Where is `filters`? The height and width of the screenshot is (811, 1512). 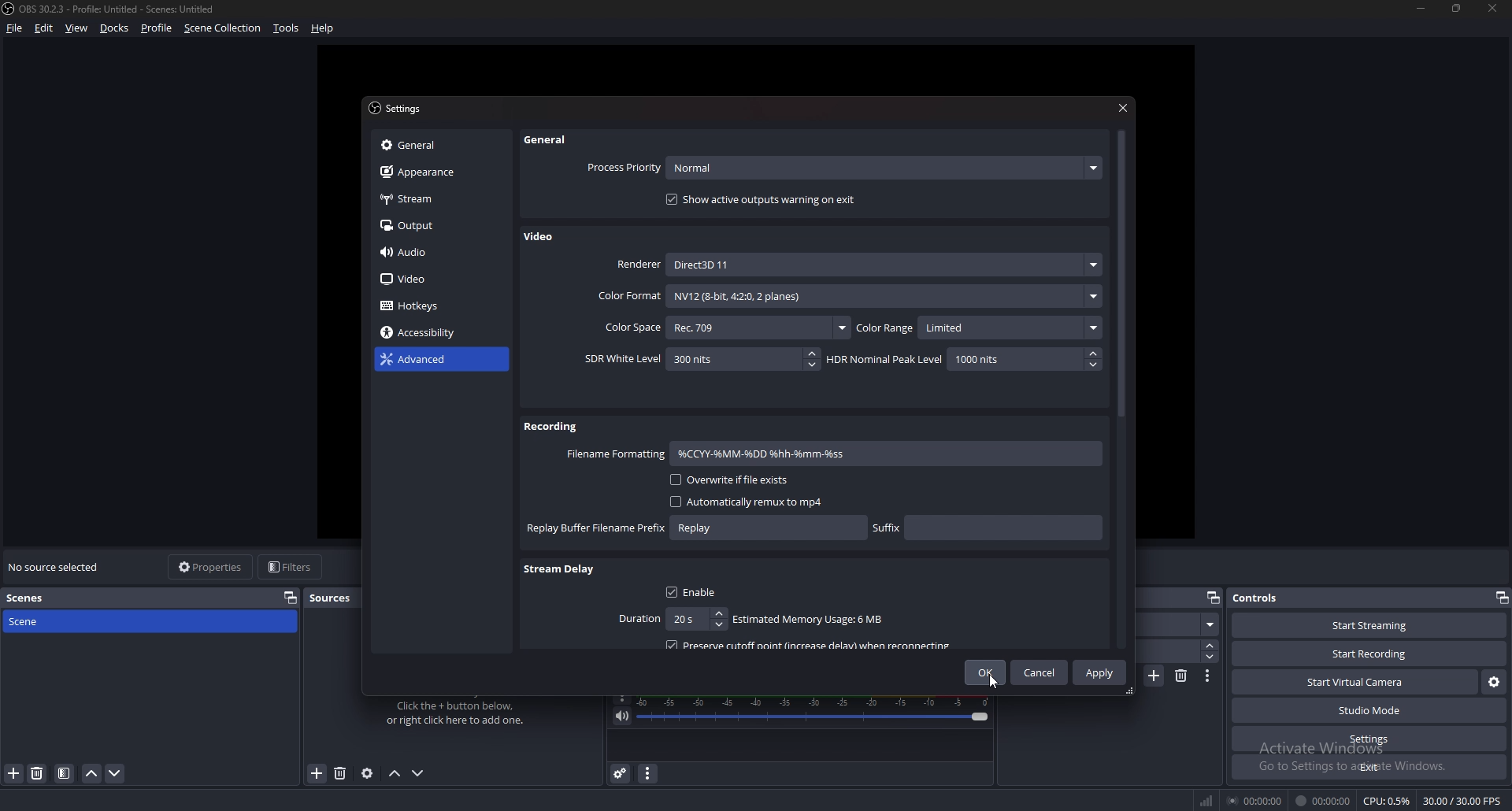 filters is located at coordinates (291, 566).